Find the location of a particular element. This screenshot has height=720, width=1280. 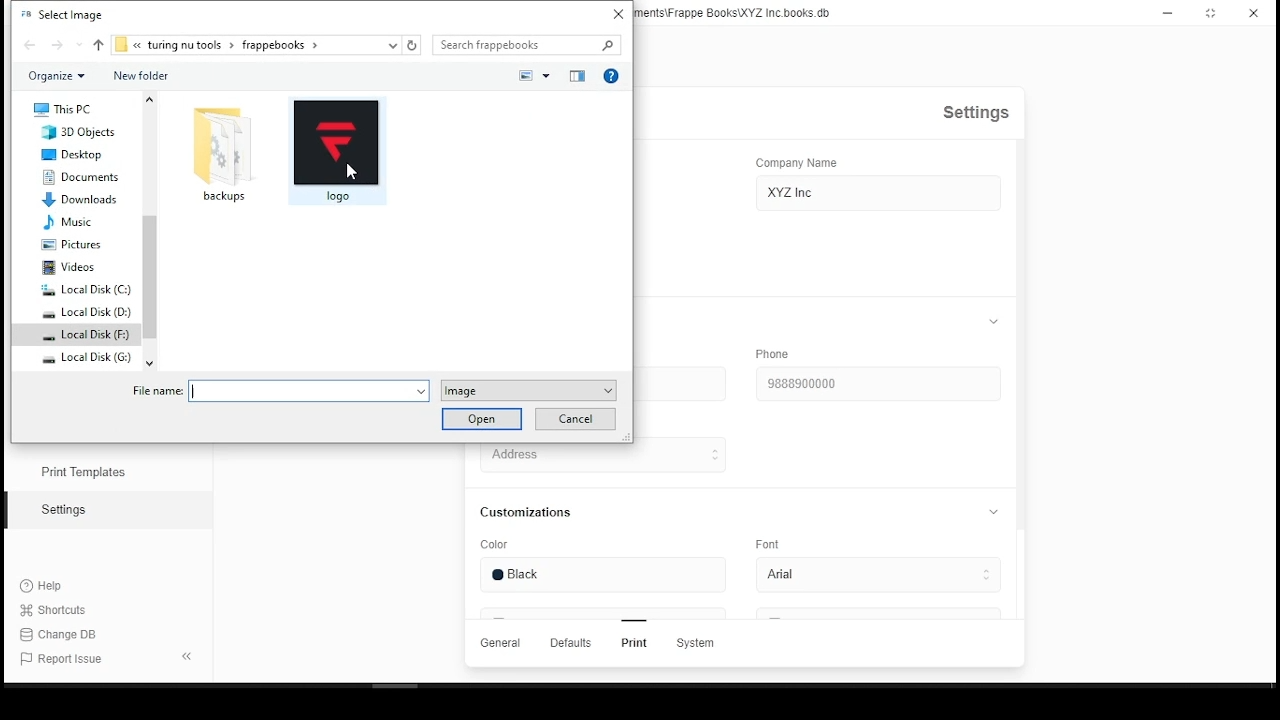

collapse is located at coordinates (994, 321).